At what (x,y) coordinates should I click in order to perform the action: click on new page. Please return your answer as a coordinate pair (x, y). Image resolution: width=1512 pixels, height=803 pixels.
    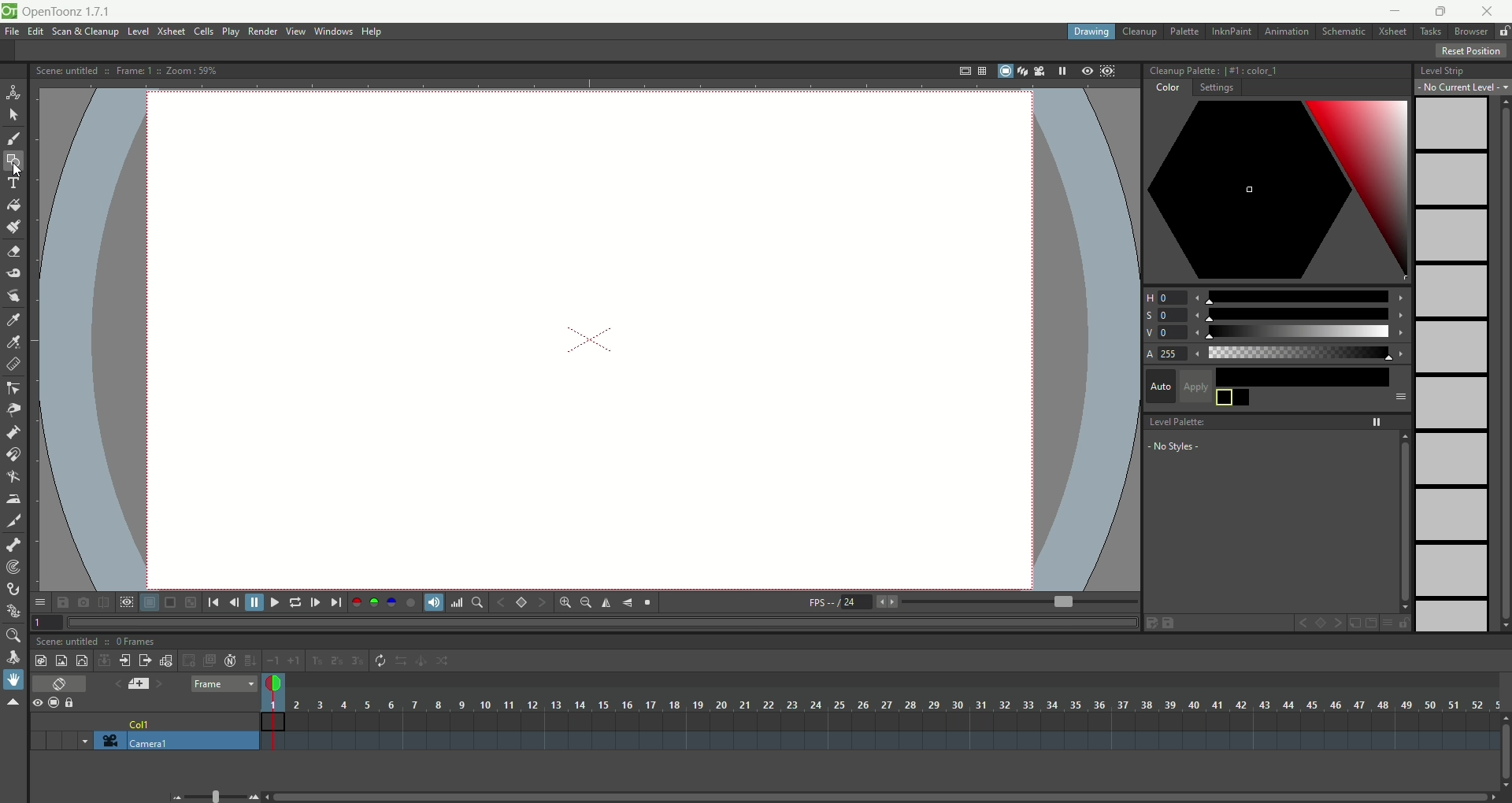
    Looking at the image, I should click on (1369, 624).